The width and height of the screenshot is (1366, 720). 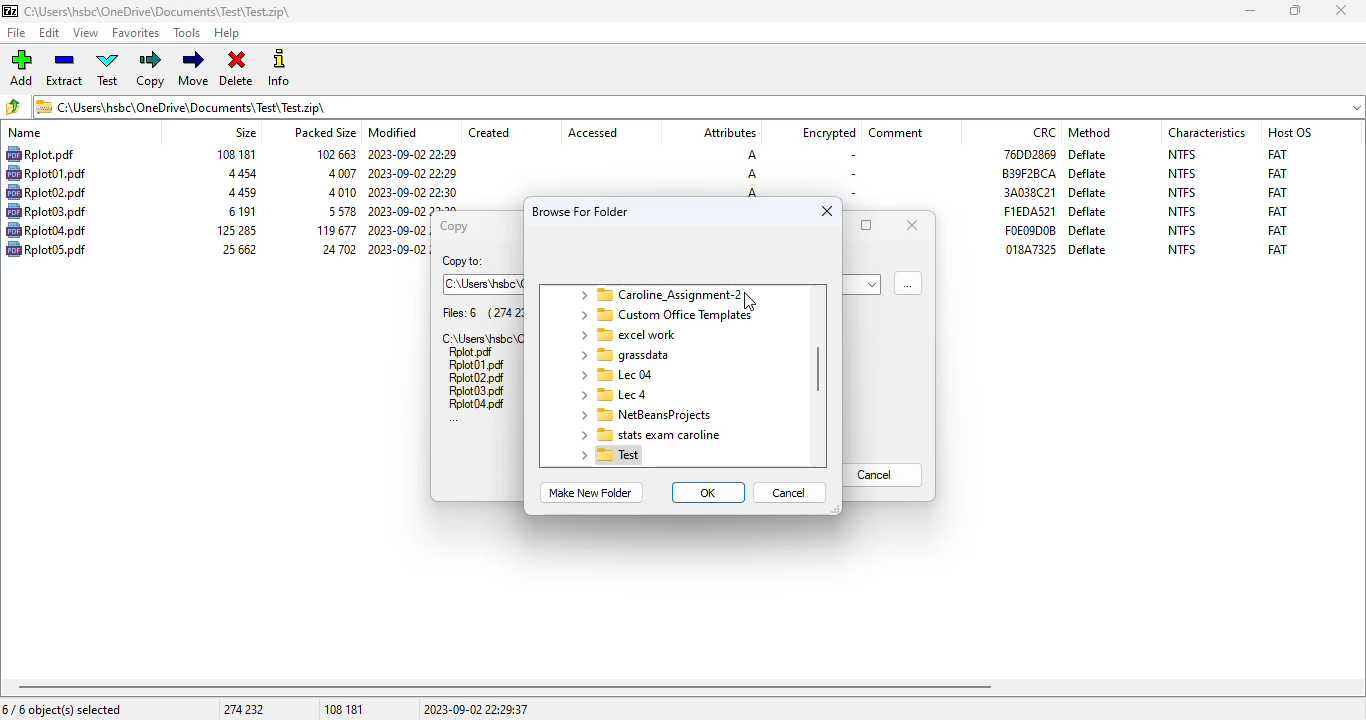 I want to click on encrypted, so click(x=829, y=133).